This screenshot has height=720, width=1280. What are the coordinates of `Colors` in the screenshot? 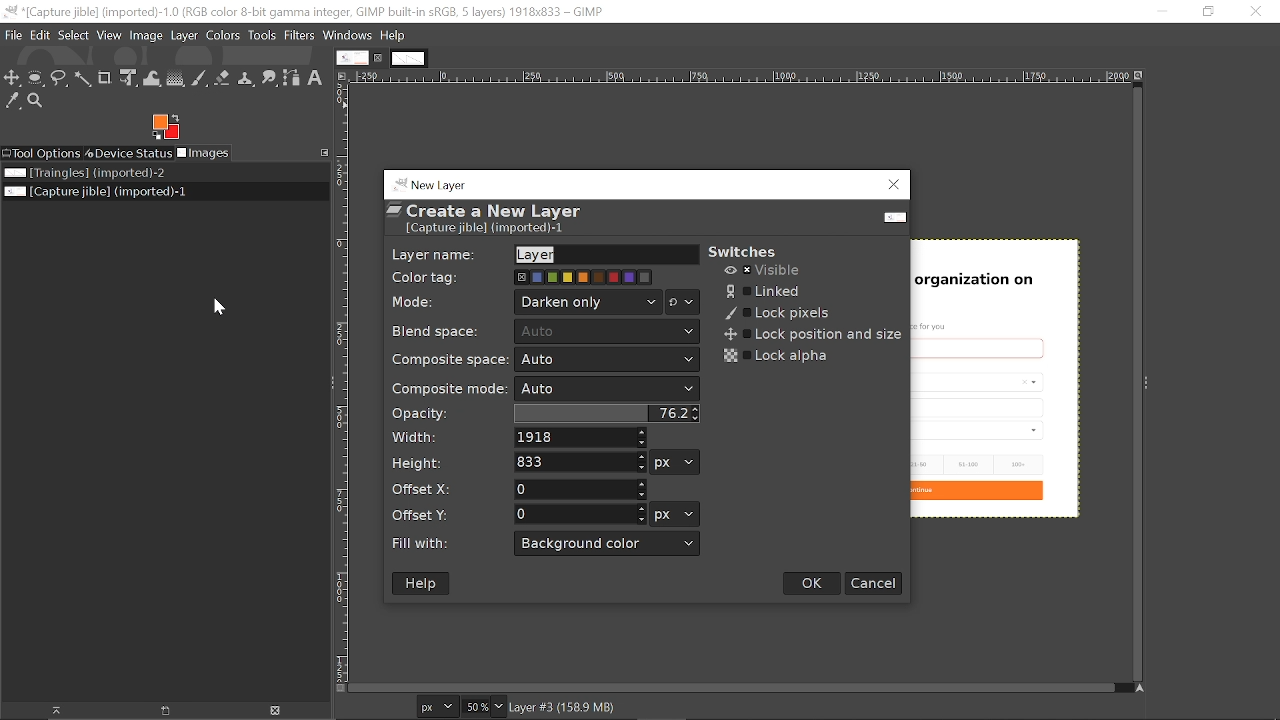 It's located at (223, 35).